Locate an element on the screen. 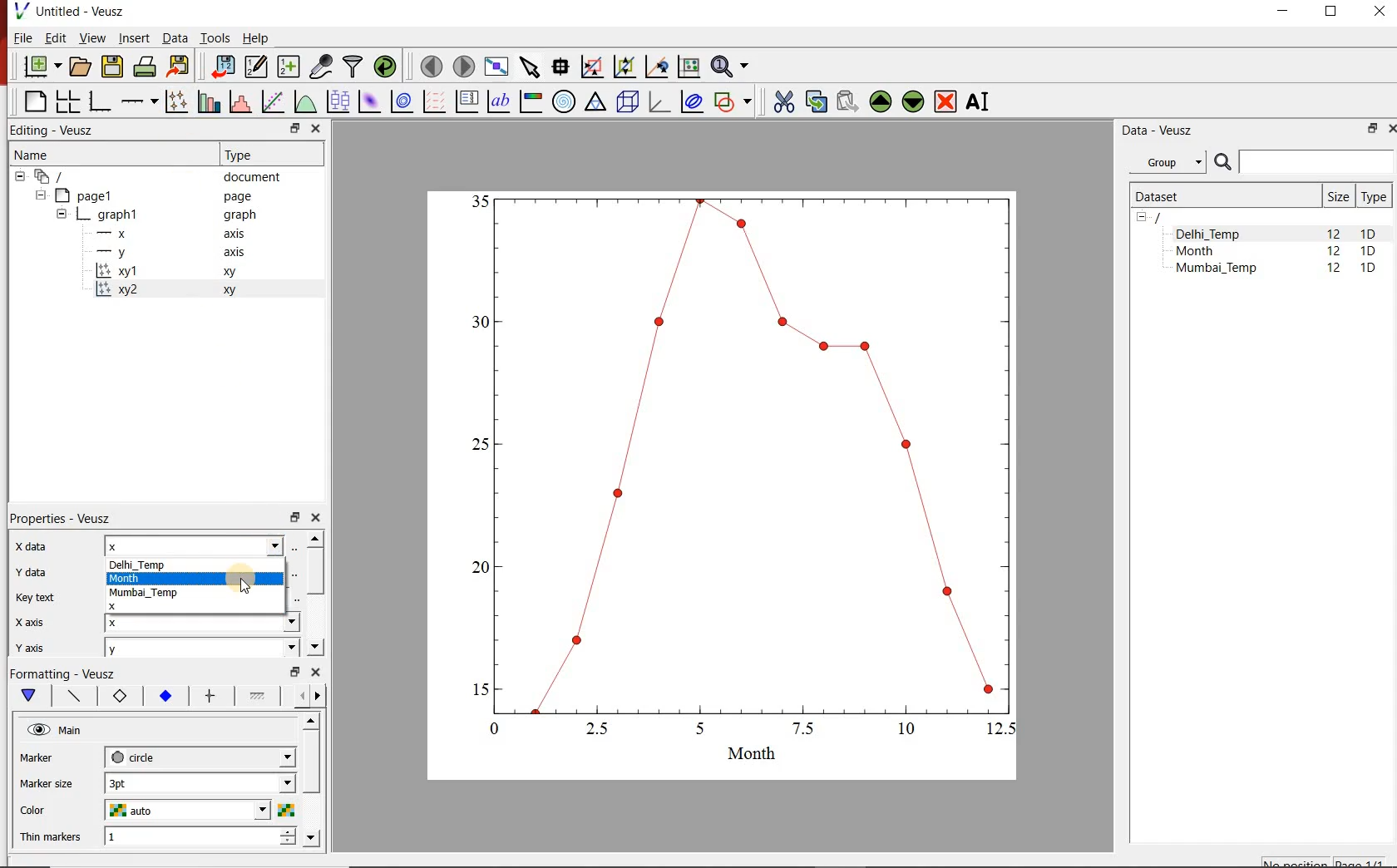  CLOSE is located at coordinates (1390, 129).